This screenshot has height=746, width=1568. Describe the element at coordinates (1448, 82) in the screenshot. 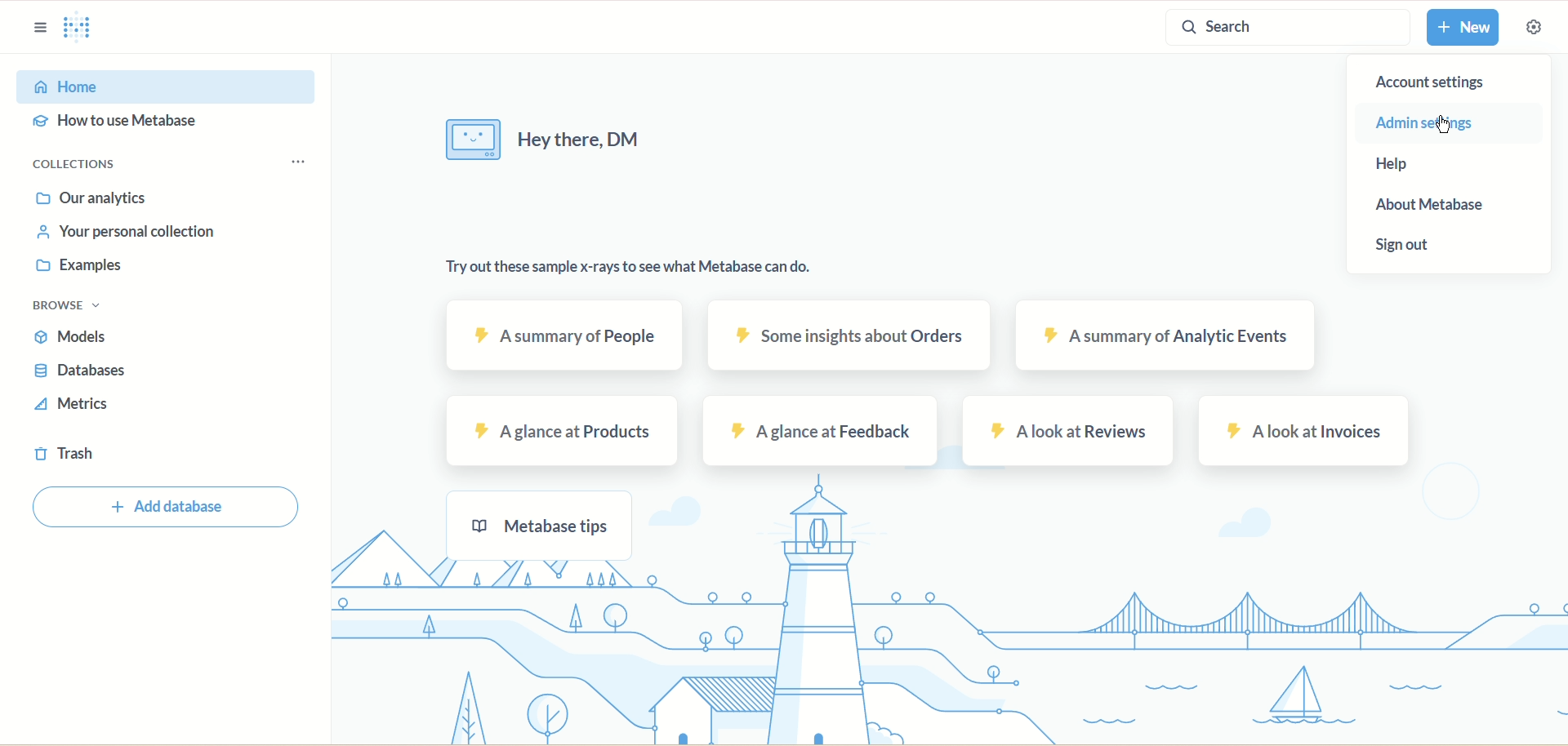

I see `Account settings` at that location.